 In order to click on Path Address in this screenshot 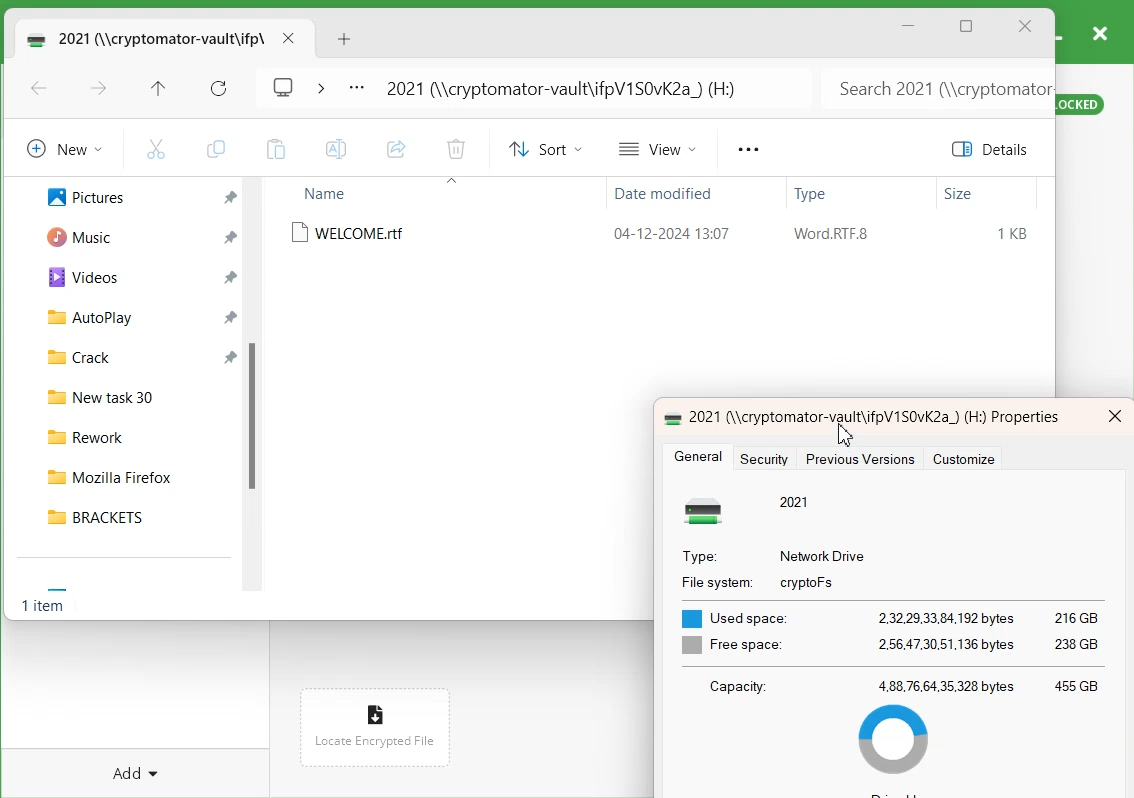, I will do `click(568, 88)`.